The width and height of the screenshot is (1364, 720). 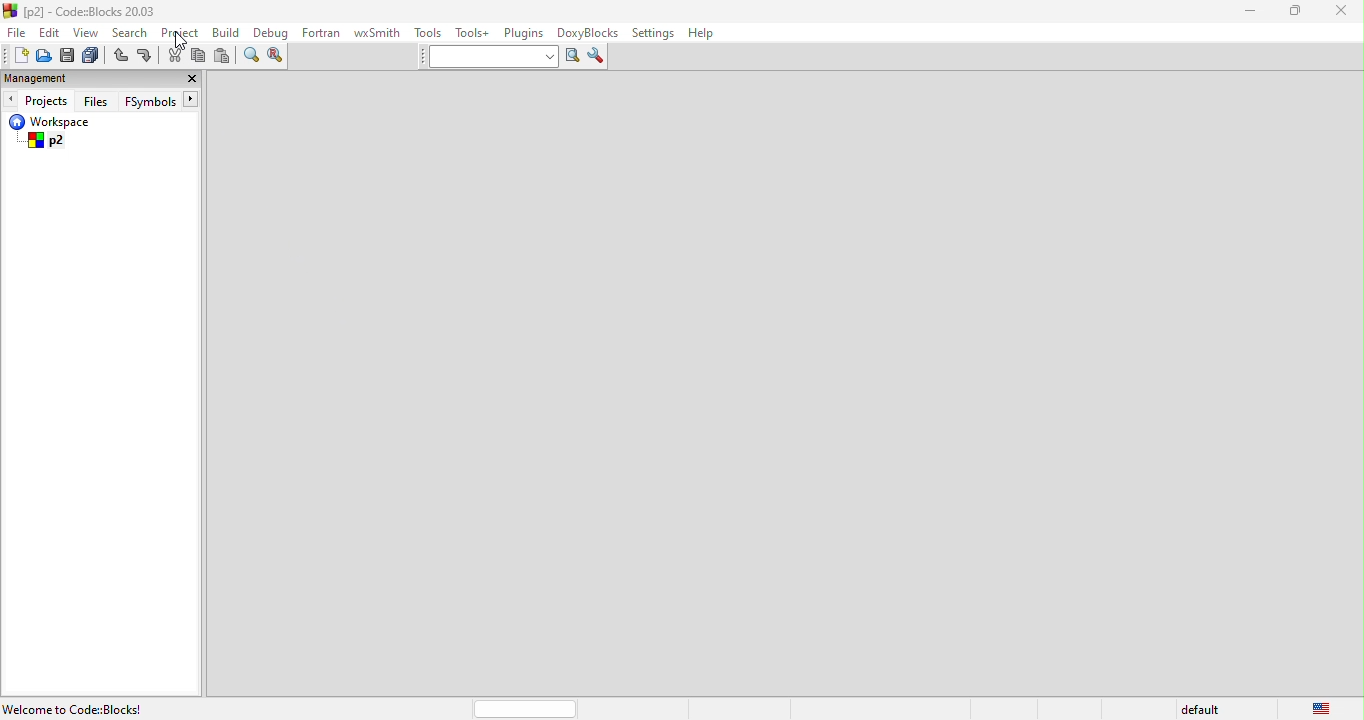 I want to click on open, so click(x=44, y=56).